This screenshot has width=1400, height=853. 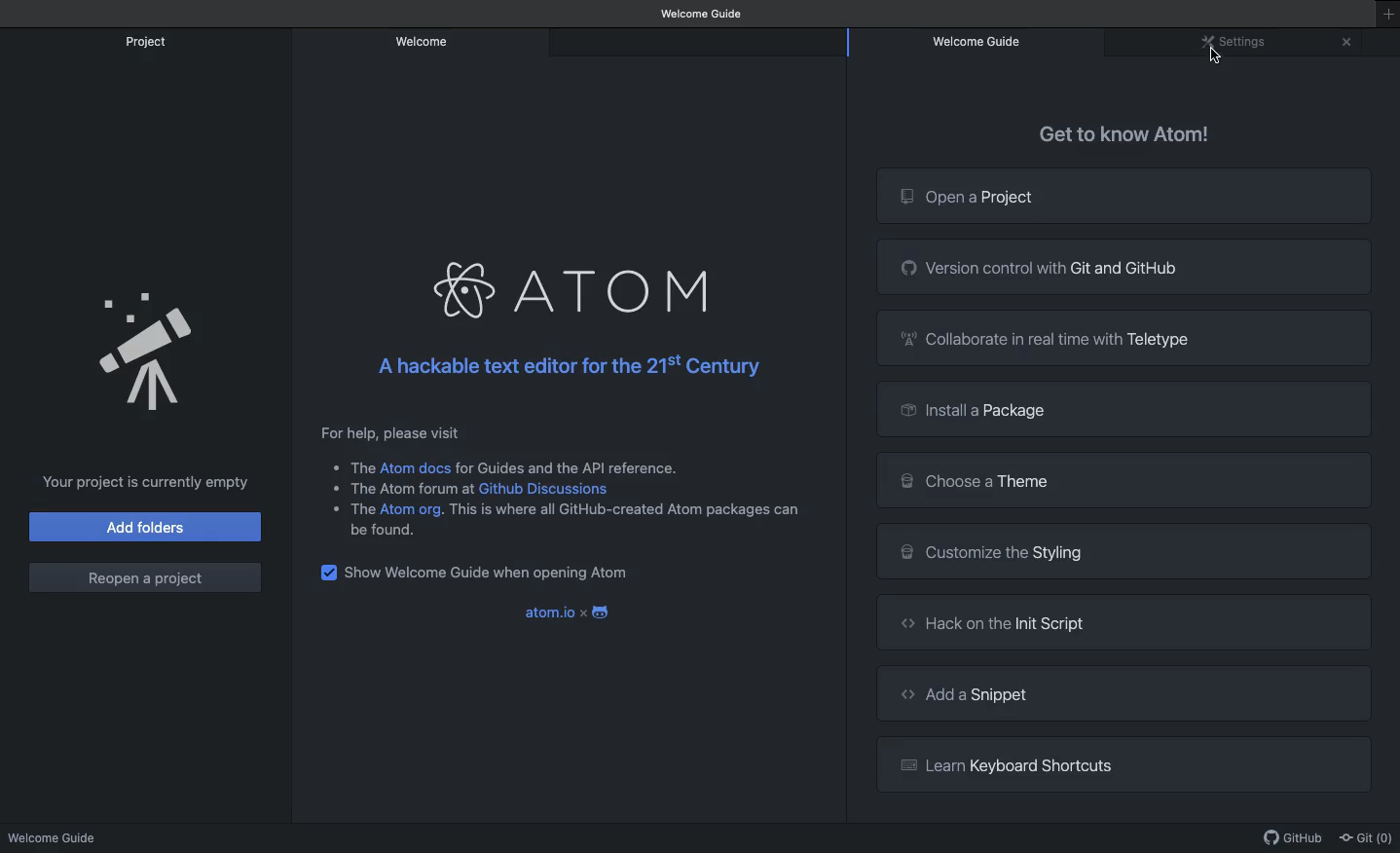 What do you see at coordinates (1124, 480) in the screenshot?
I see `Choose a theme` at bounding box center [1124, 480].